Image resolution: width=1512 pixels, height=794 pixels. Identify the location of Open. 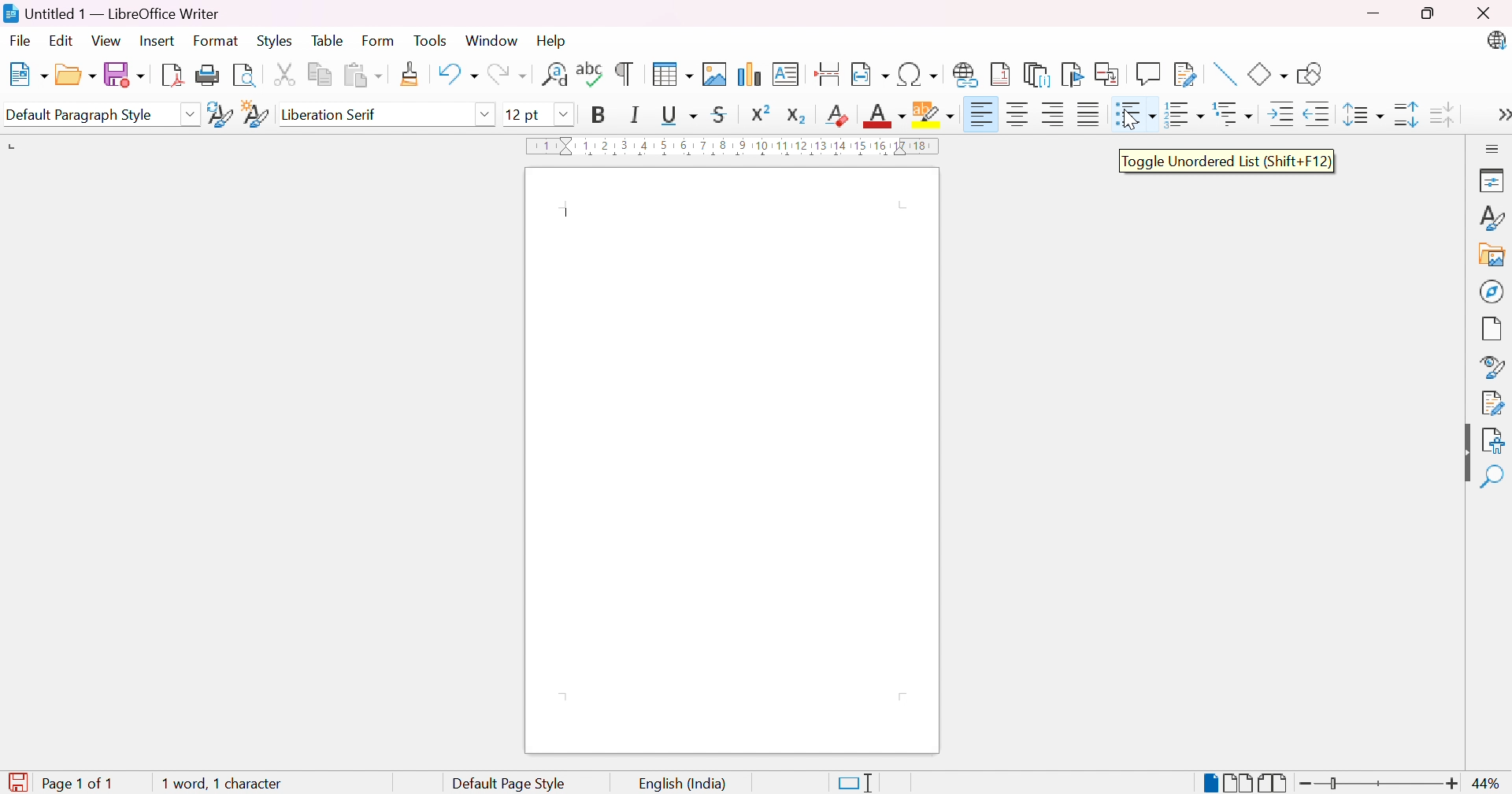
(75, 76).